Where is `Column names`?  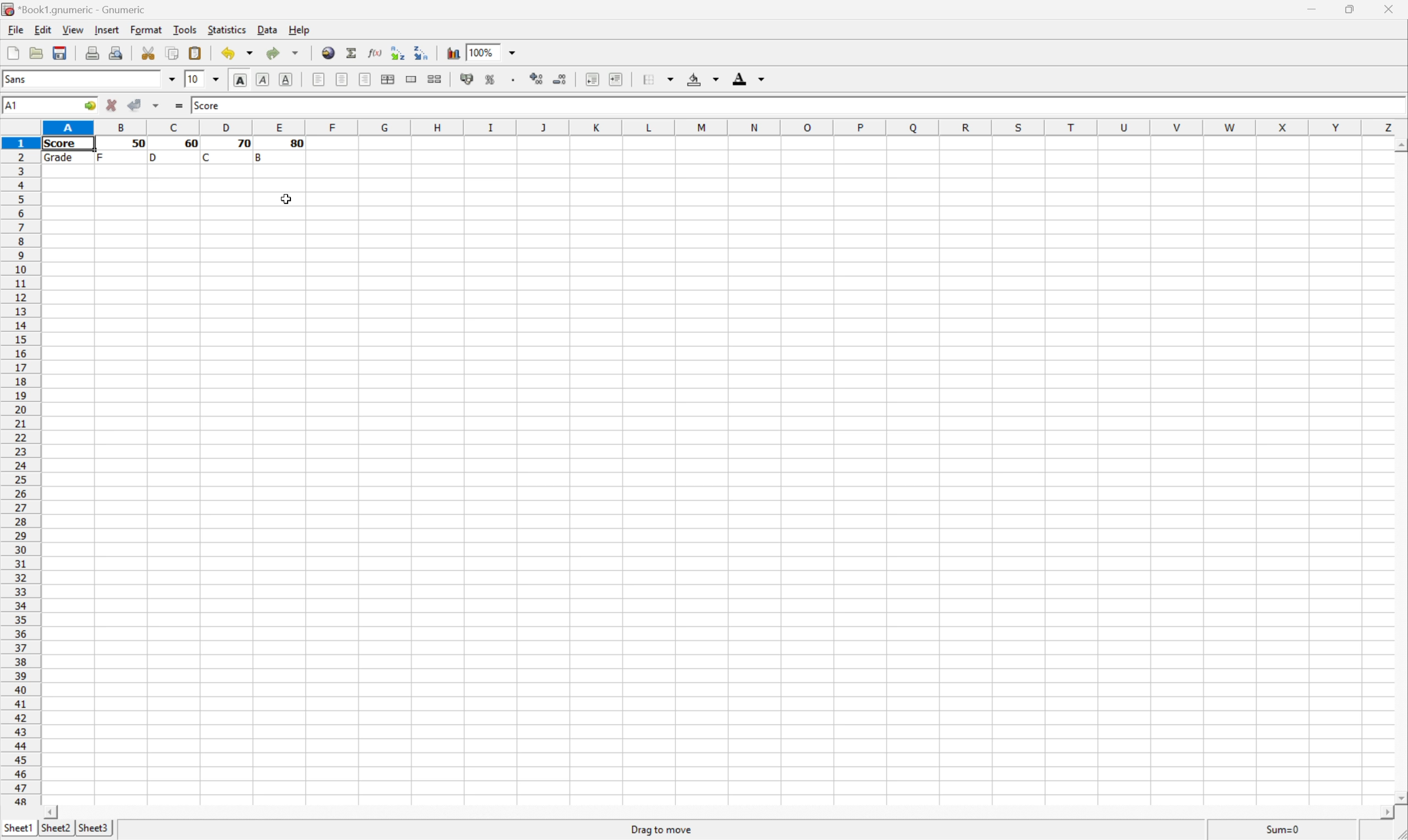
Column names is located at coordinates (724, 126).